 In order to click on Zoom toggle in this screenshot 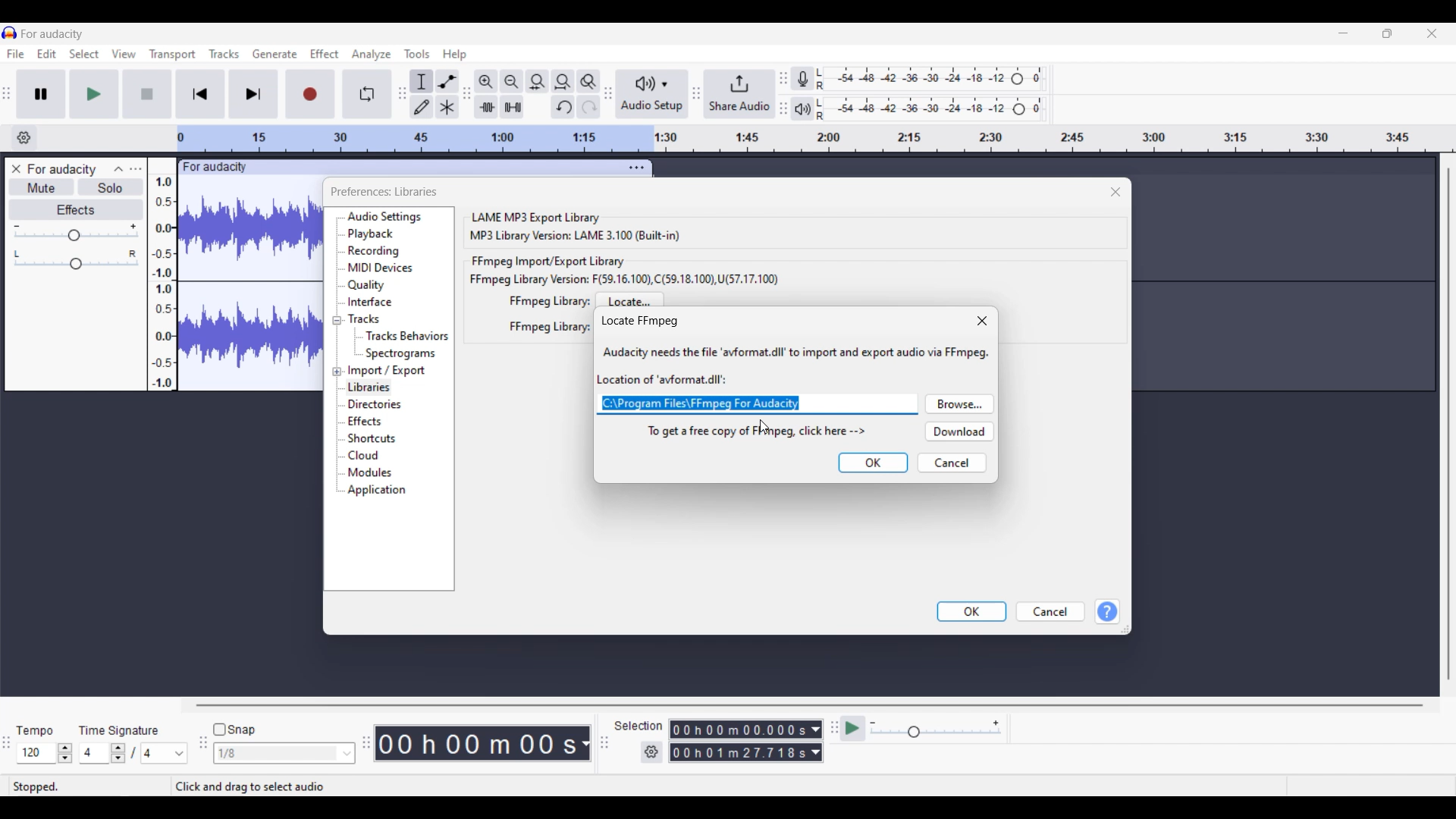, I will do `click(588, 82)`.